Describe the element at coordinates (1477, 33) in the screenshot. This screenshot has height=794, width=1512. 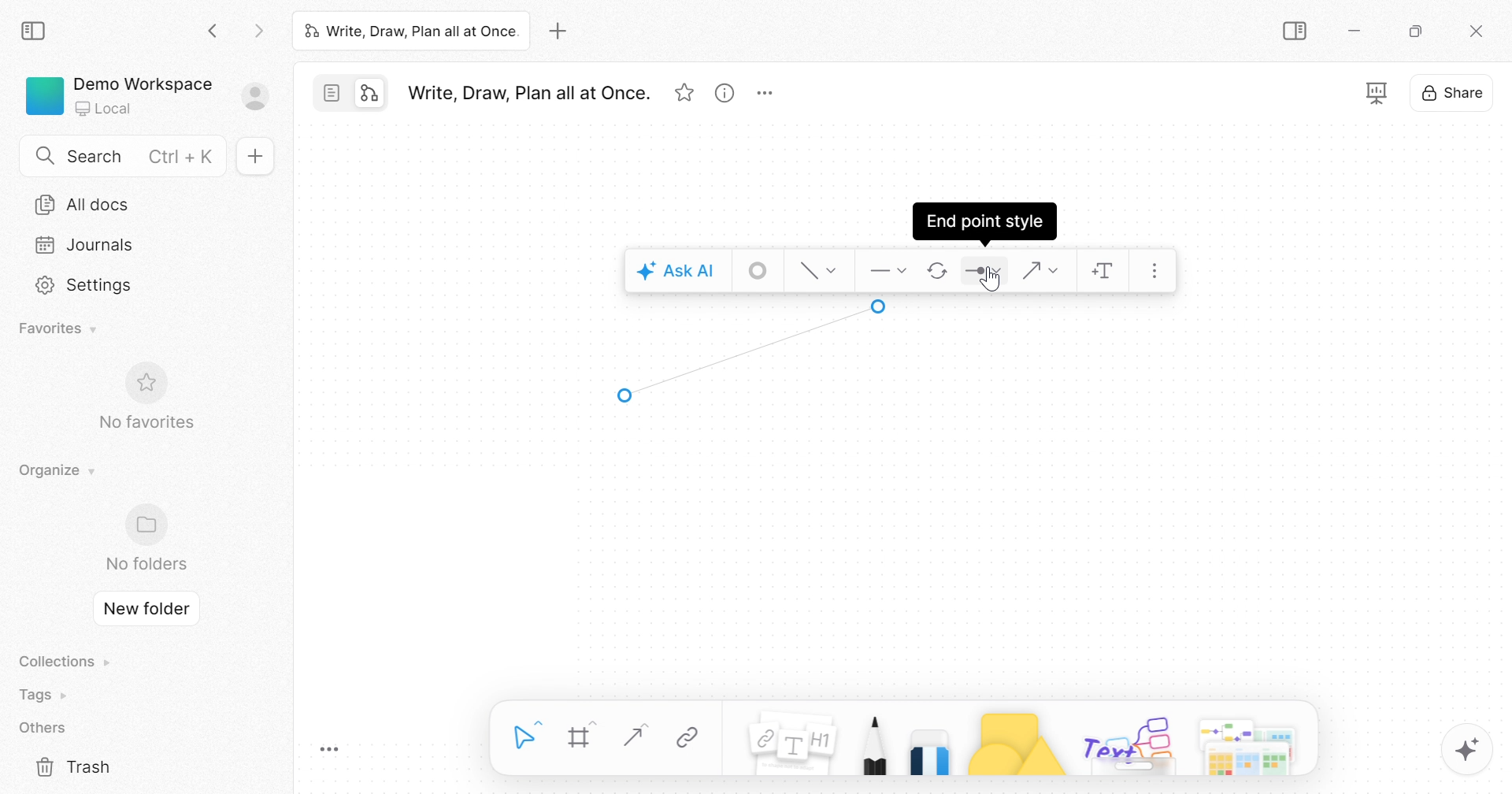
I see `Close` at that location.